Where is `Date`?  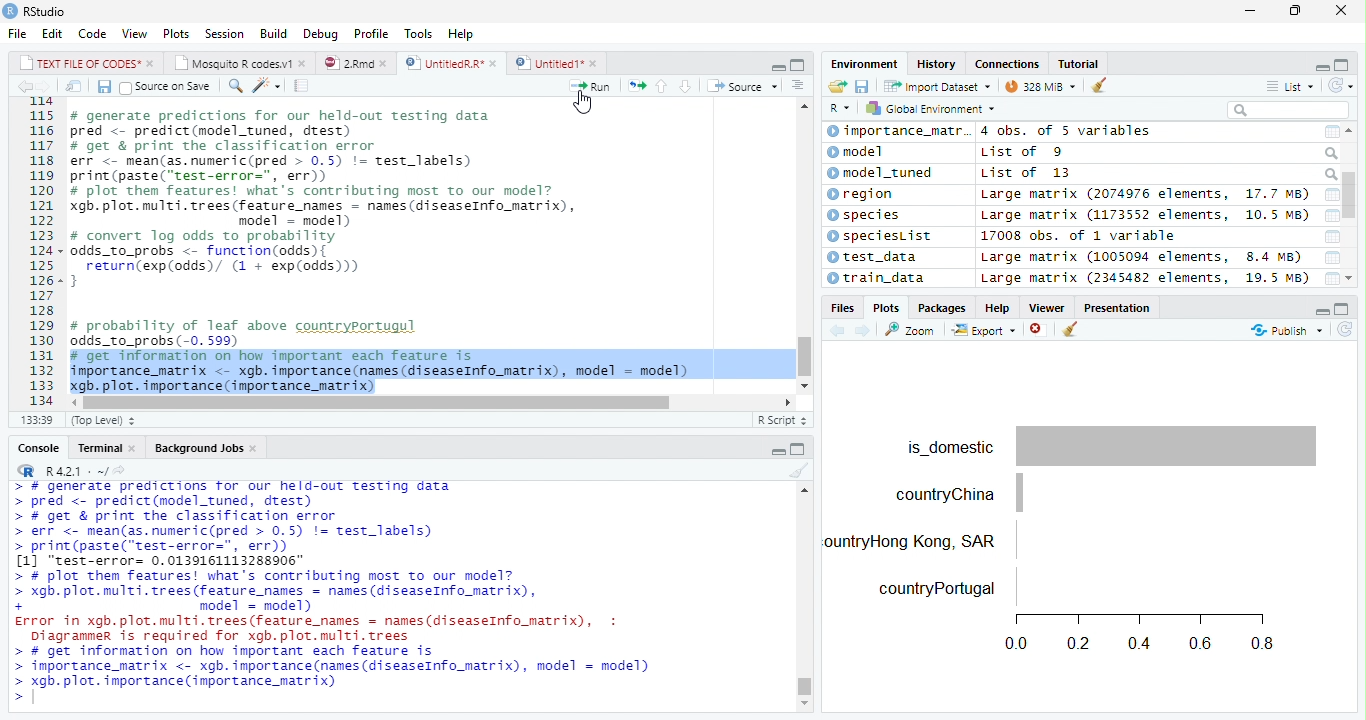
Date is located at coordinates (1327, 257).